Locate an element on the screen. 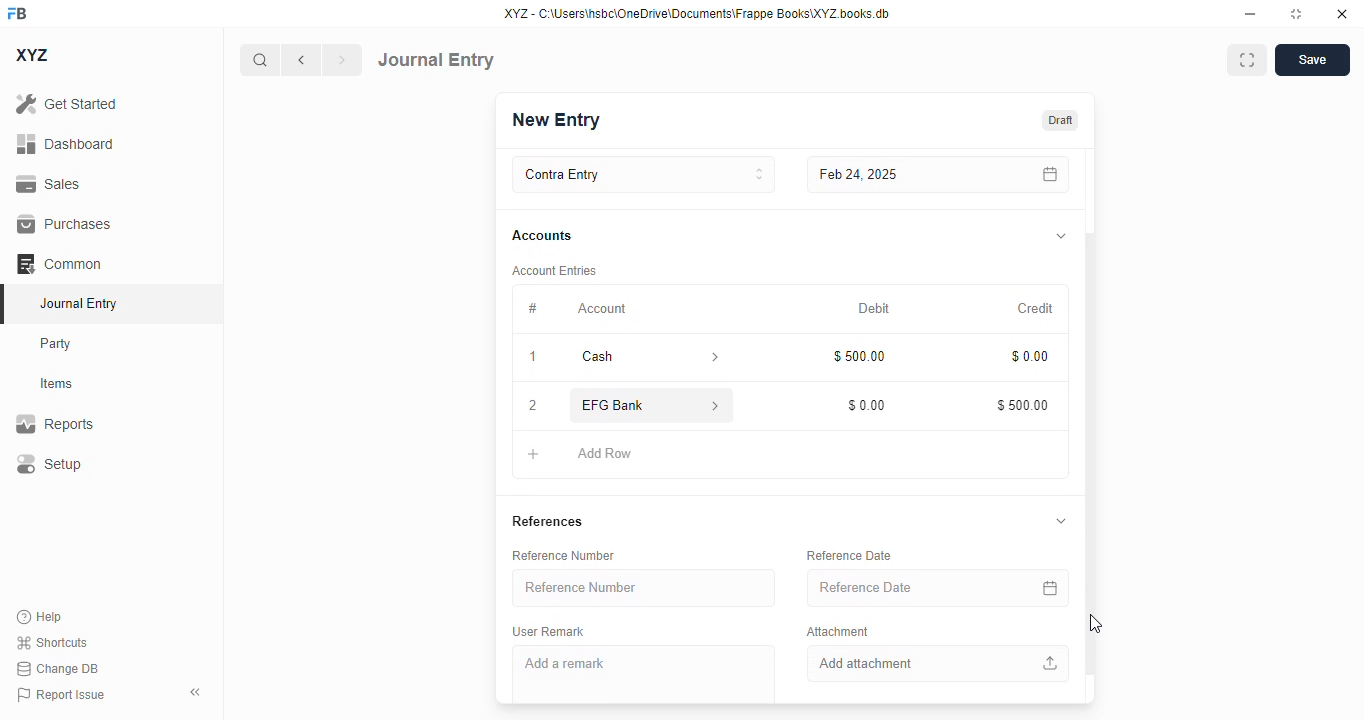  journal entry is located at coordinates (80, 303).